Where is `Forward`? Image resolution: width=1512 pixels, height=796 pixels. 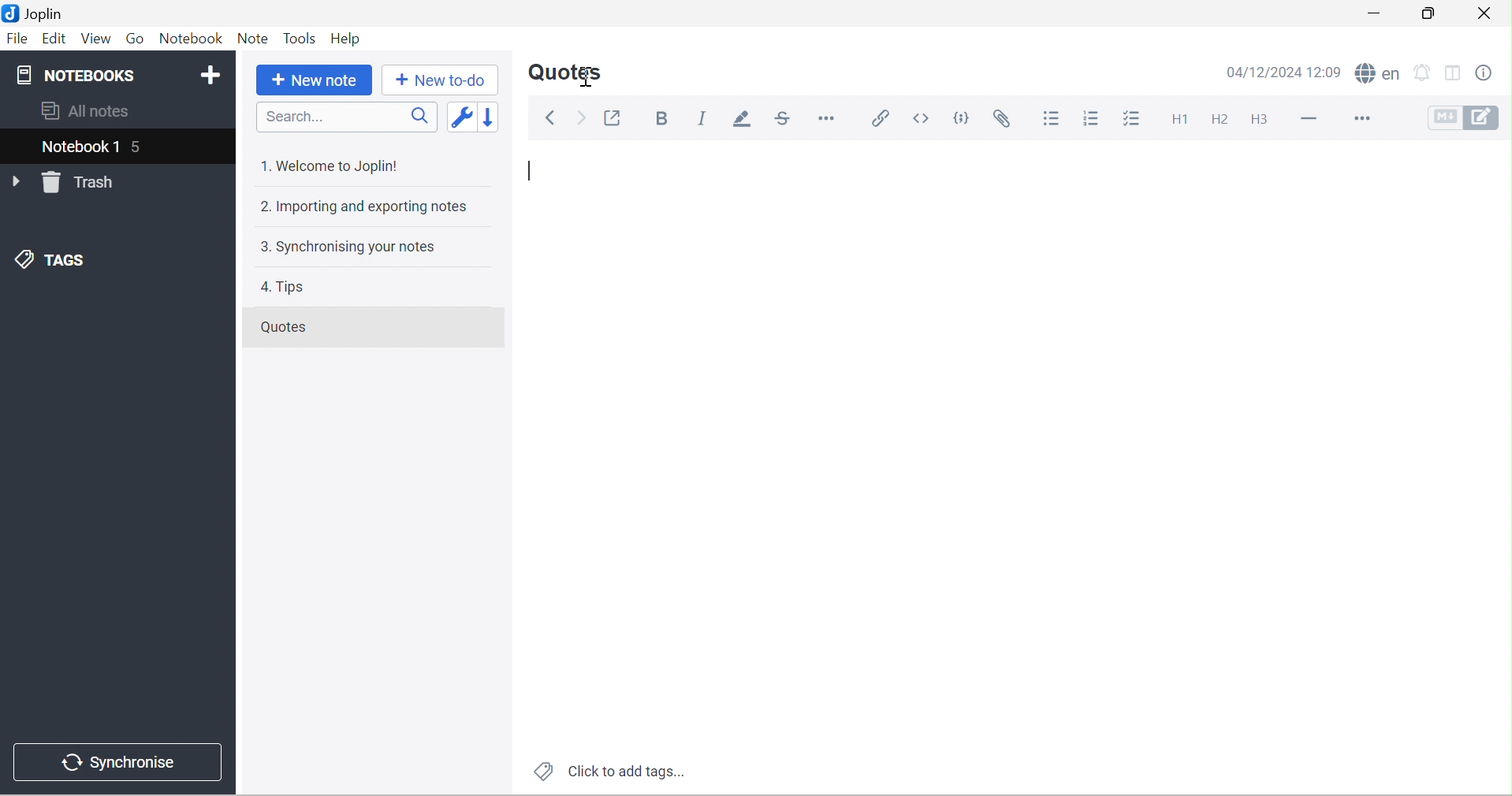 Forward is located at coordinates (581, 119).